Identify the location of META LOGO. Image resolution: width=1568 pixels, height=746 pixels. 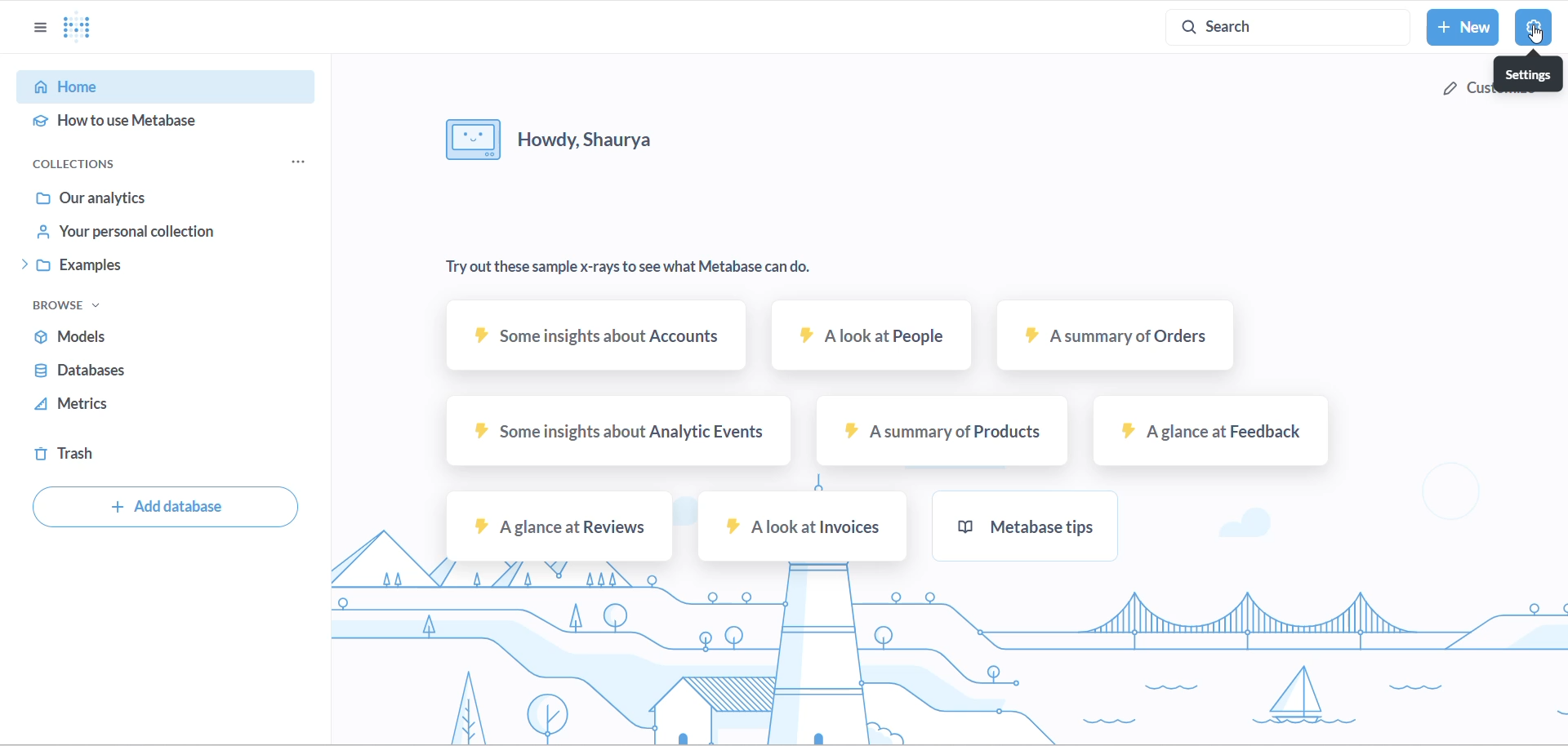
(77, 25).